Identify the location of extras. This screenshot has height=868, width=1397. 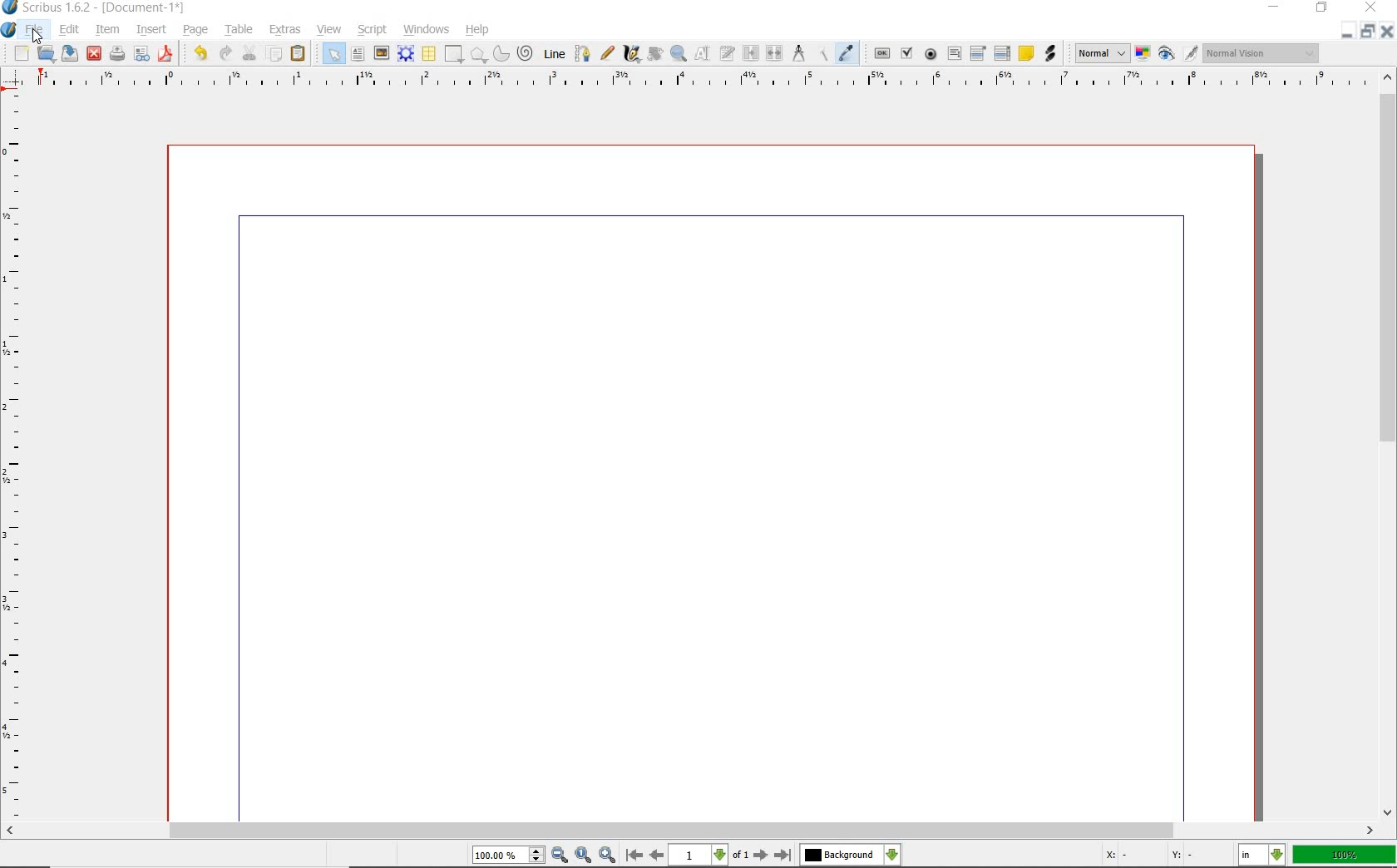
(288, 30).